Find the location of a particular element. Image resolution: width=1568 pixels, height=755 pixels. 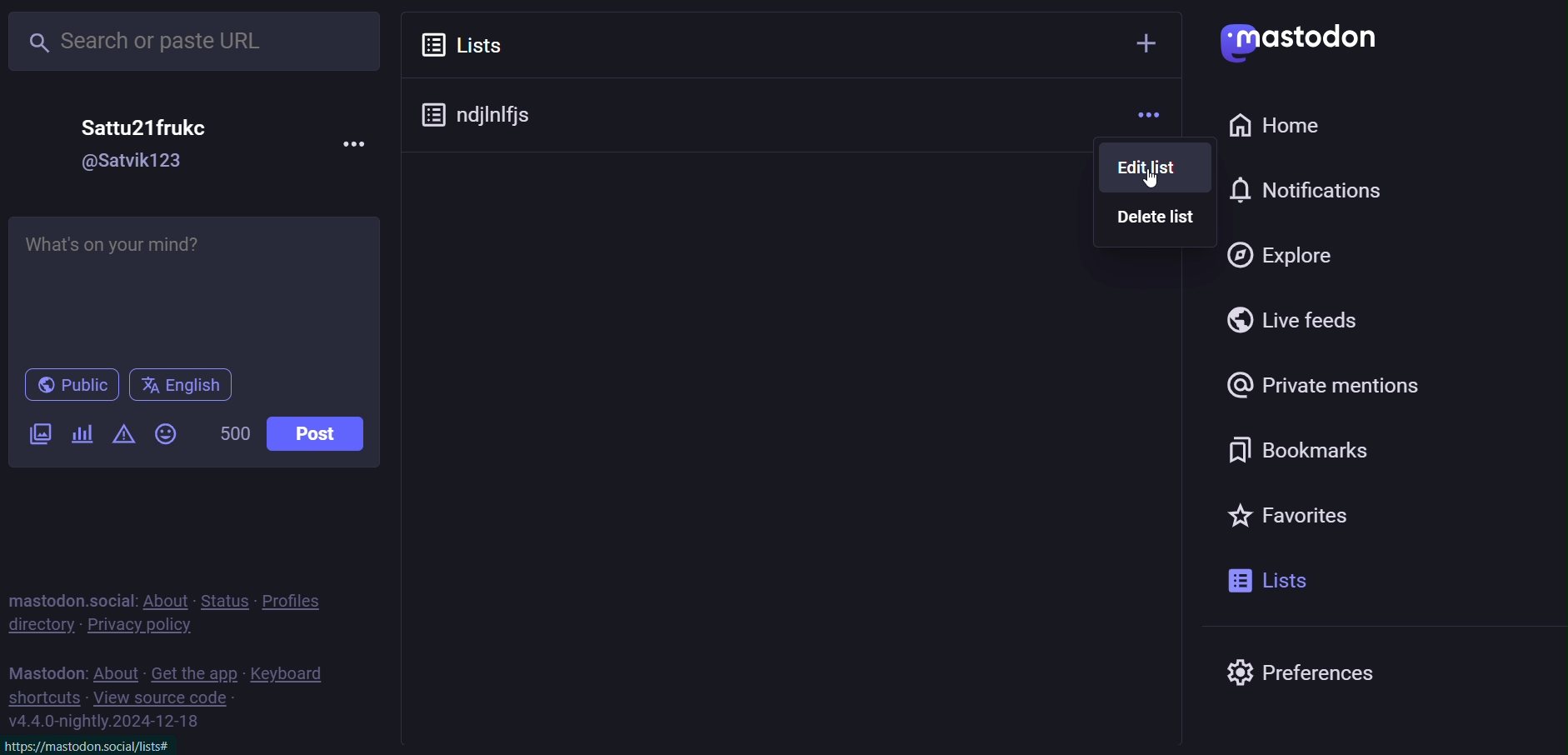

list is located at coordinates (1270, 579).